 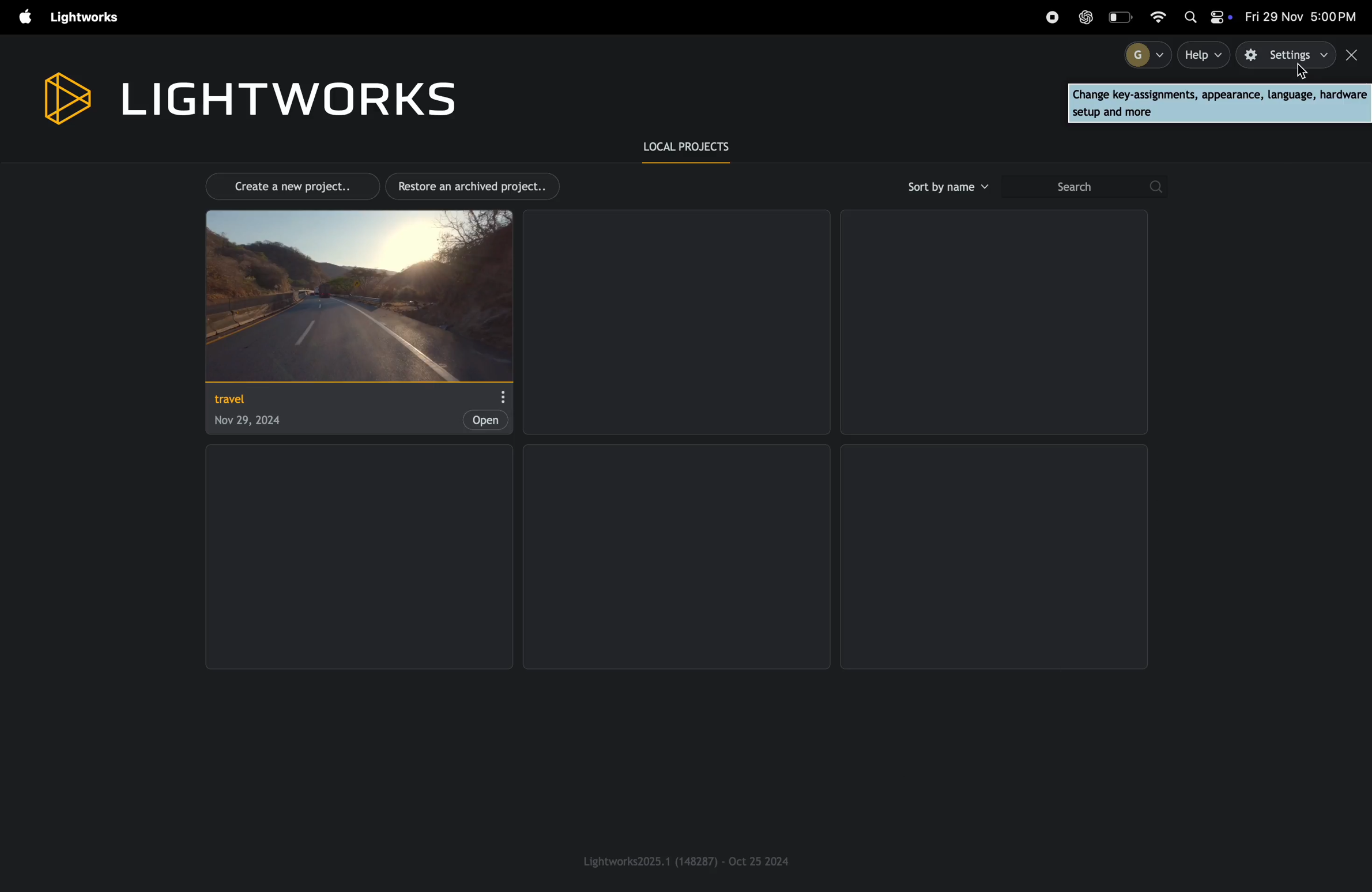 I want to click on create new project, so click(x=286, y=185).